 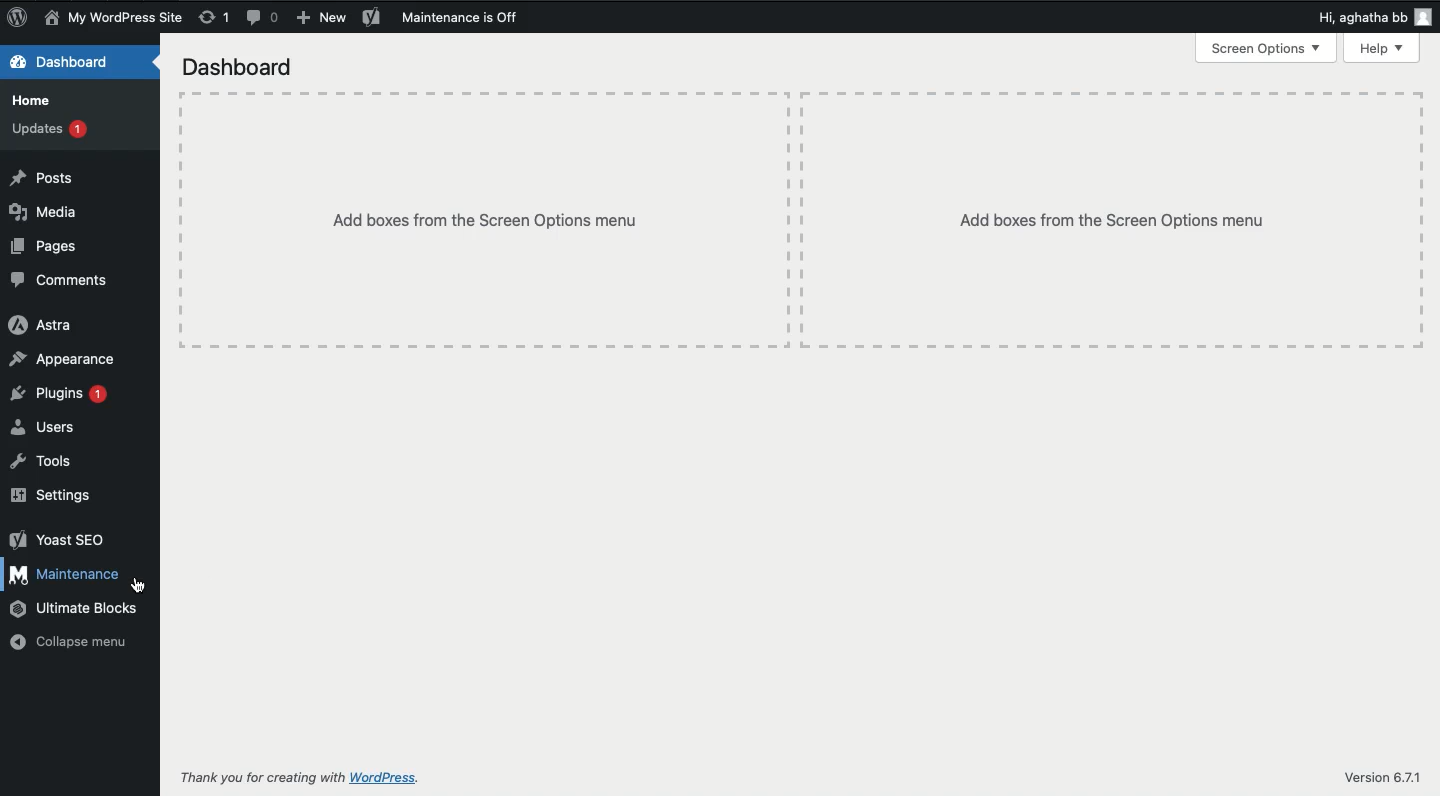 I want to click on Name, so click(x=115, y=17).